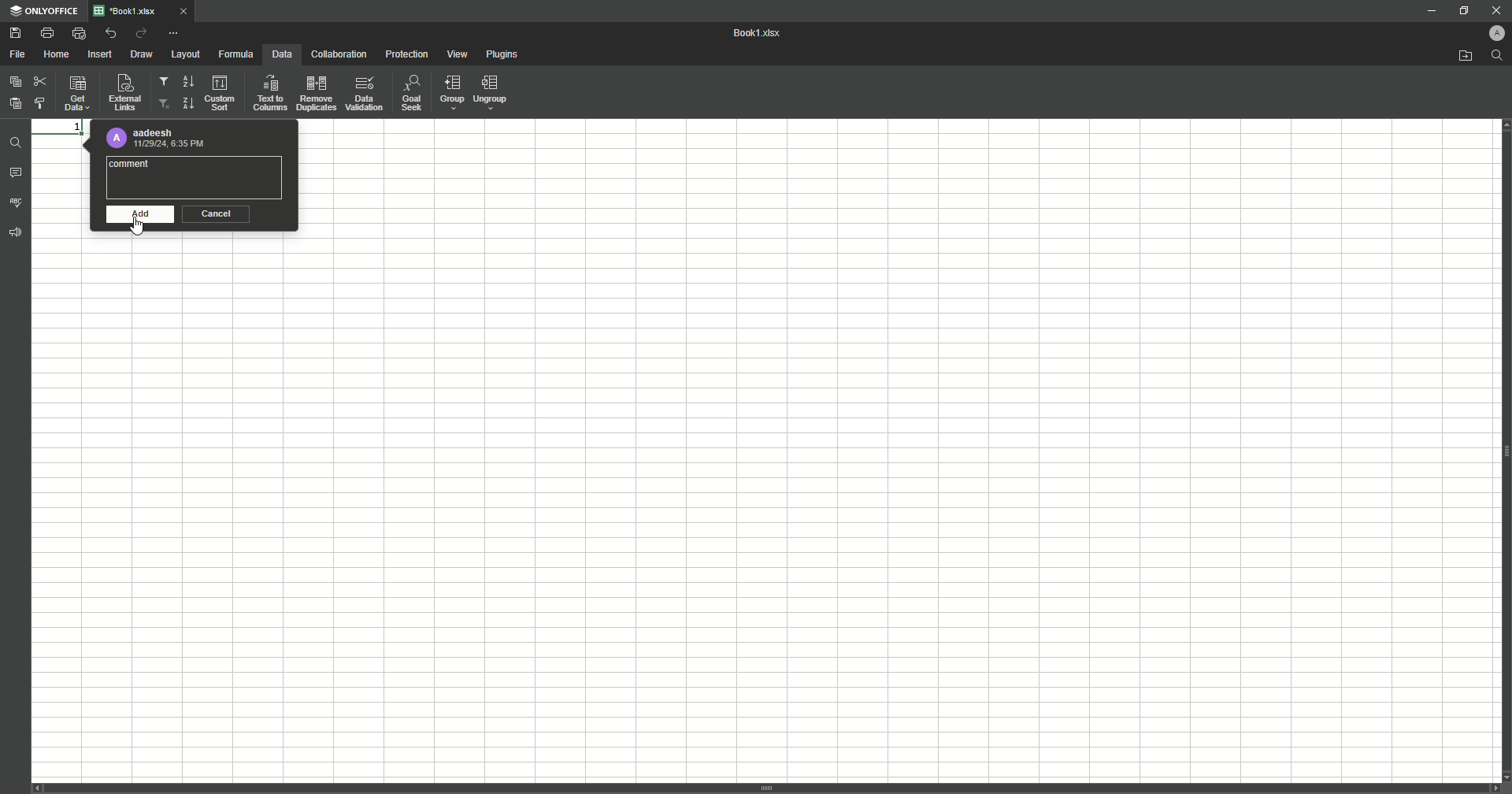 Image resolution: width=1512 pixels, height=794 pixels. Describe the element at coordinates (141, 228) in the screenshot. I see `Cursor` at that location.